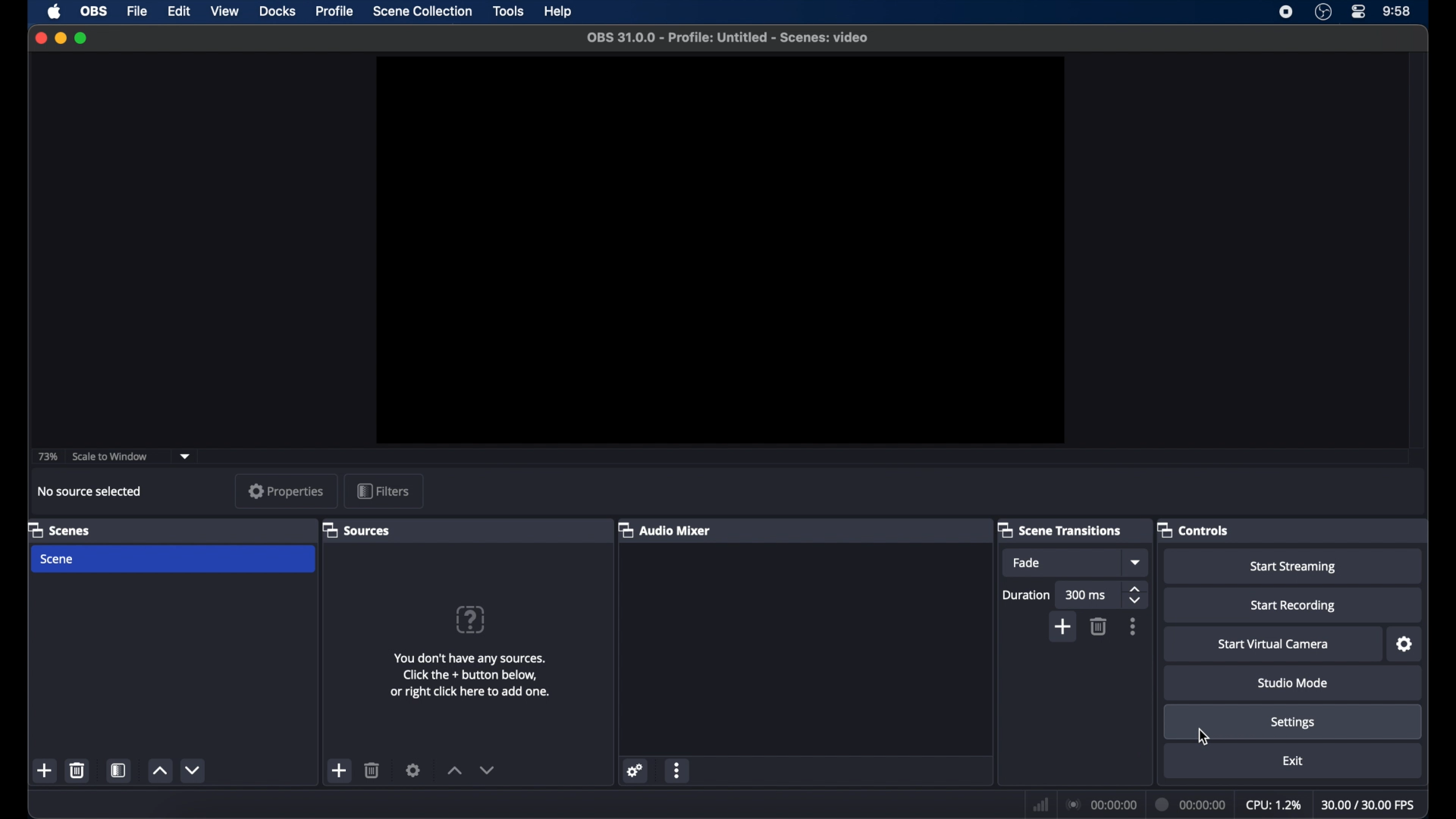 The width and height of the screenshot is (1456, 819). What do you see at coordinates (1133, 626) in the screenshot?
I see `more options` at bounding box center [1133, 626].